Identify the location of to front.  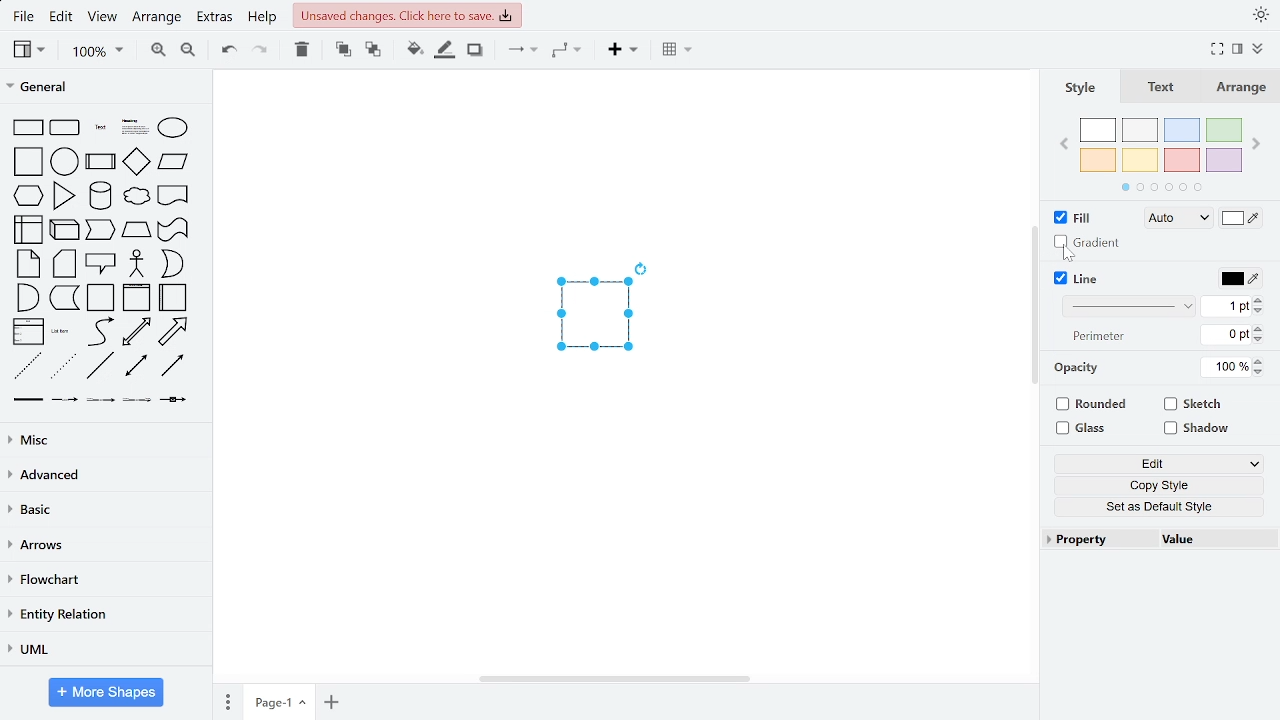
(341, 51).